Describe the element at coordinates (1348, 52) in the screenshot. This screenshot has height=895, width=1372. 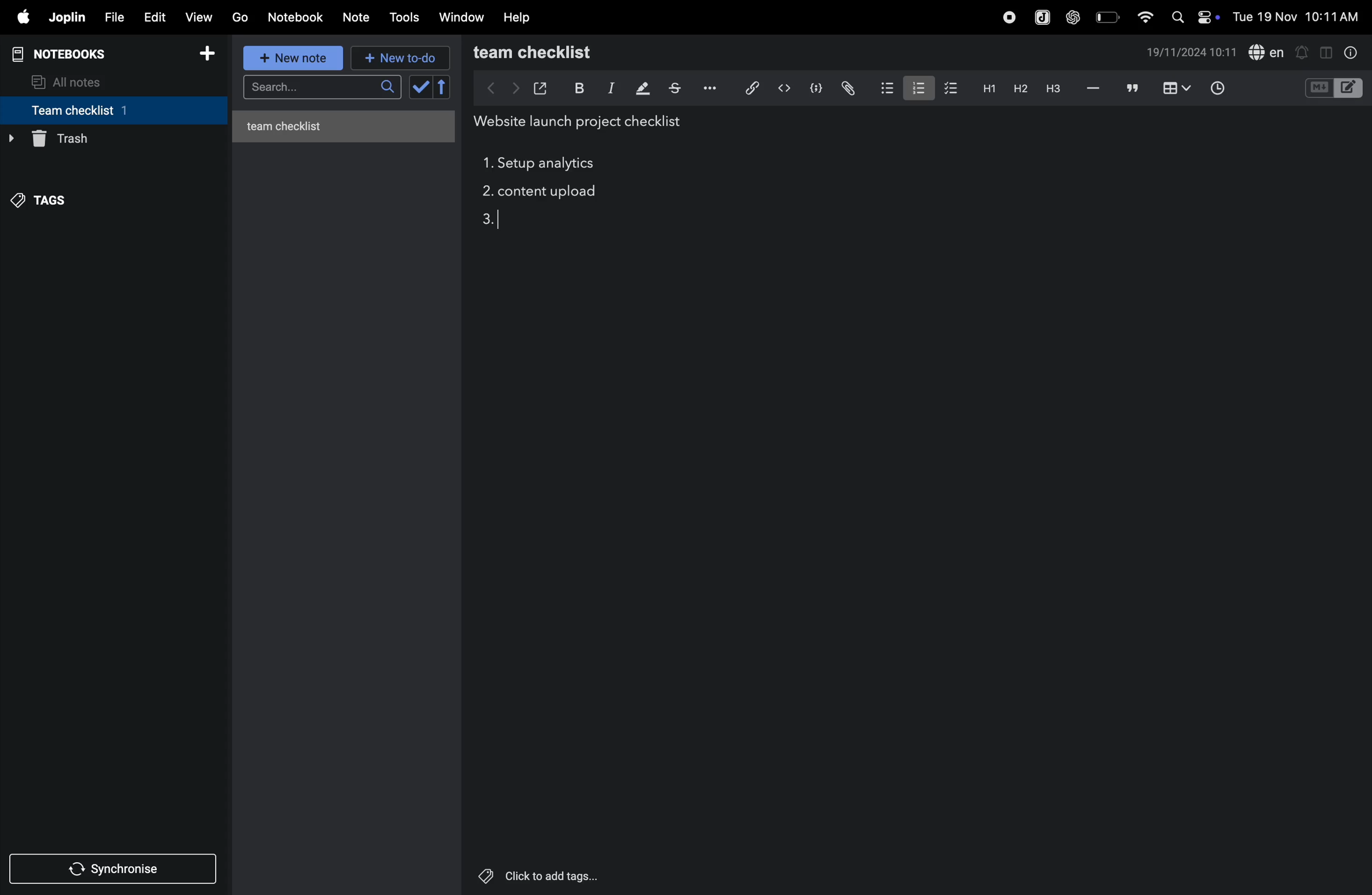
I see `info` at that location.